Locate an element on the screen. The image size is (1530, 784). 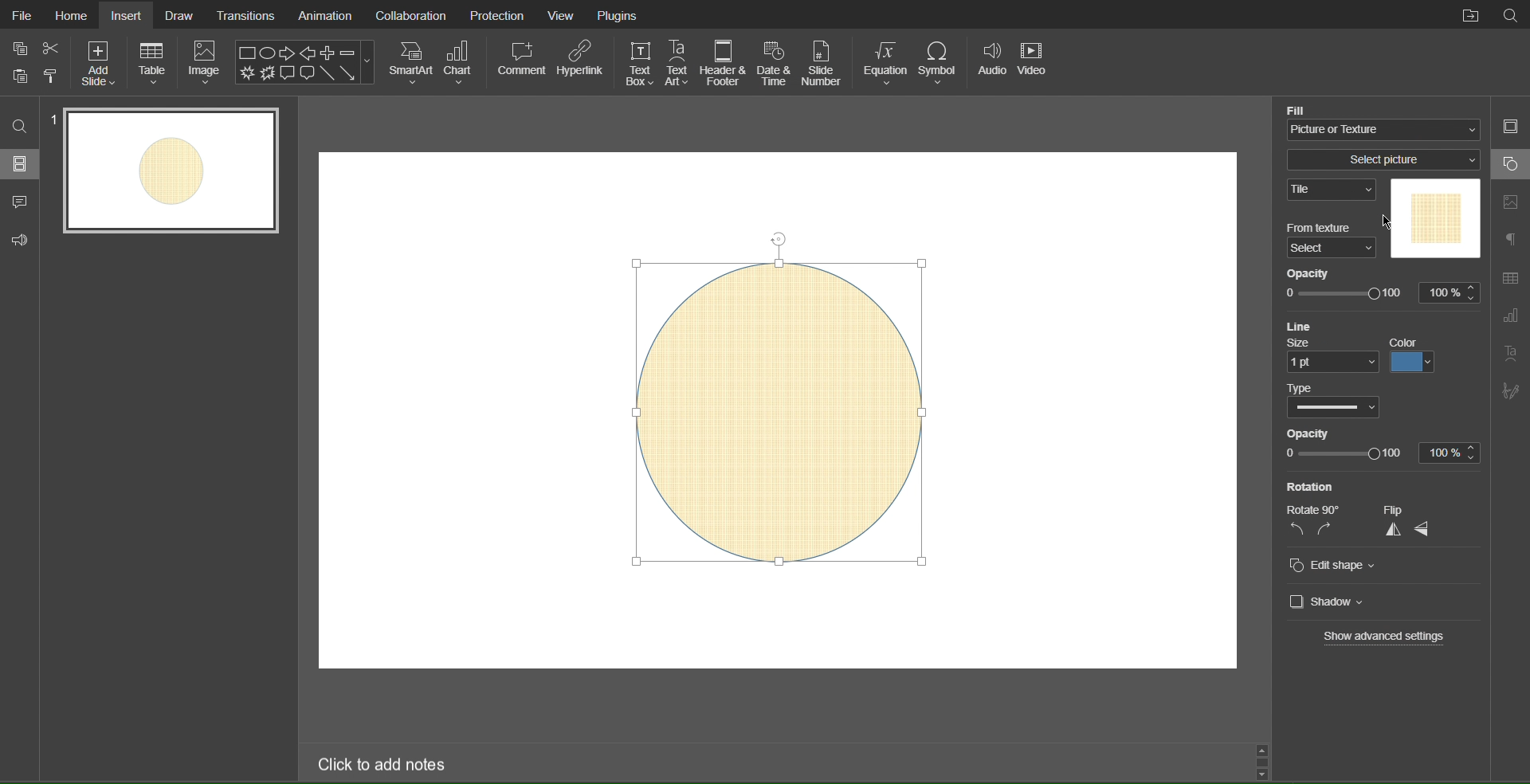
Comments is located at coordinates (21, 202).